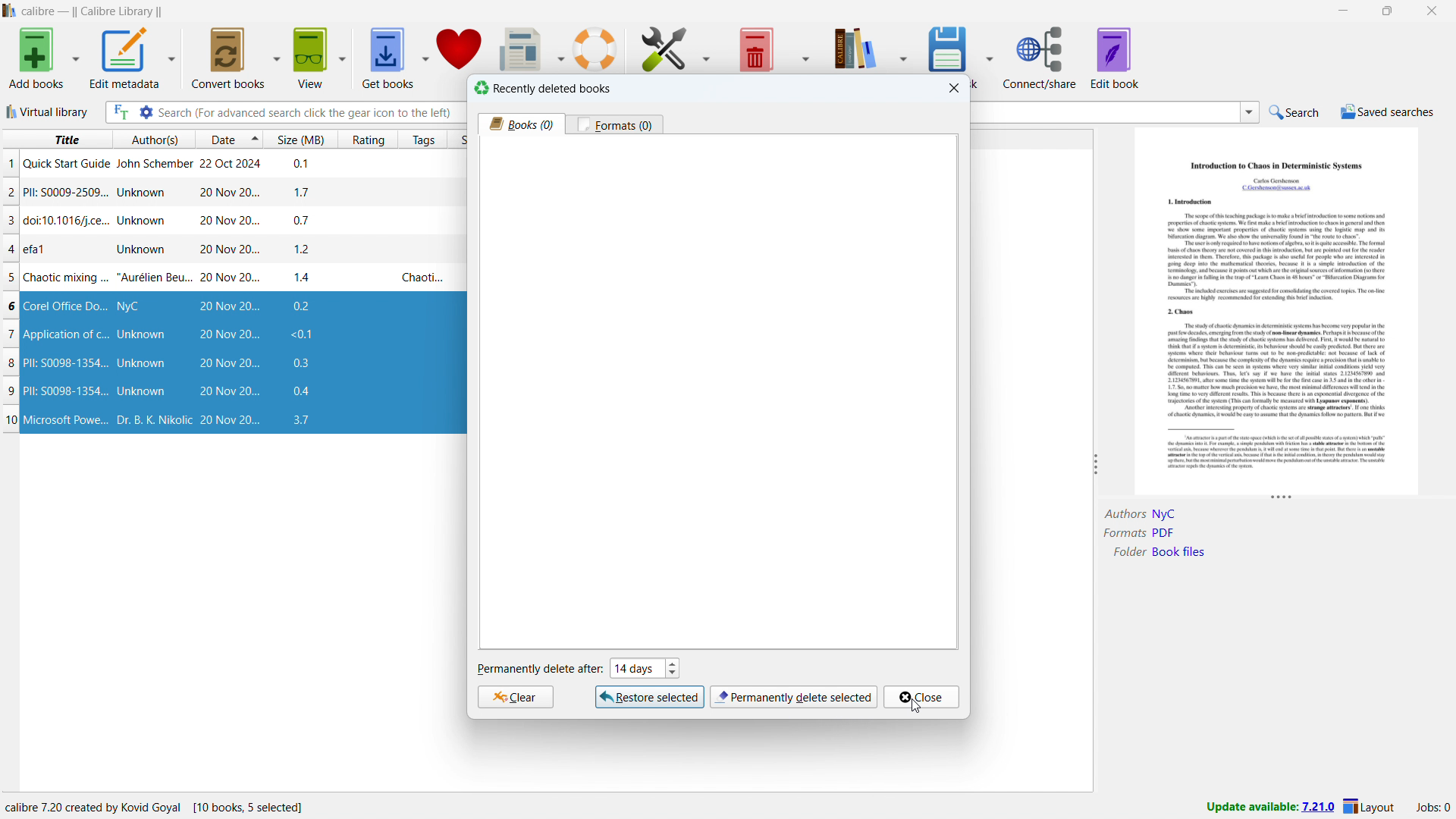 This screenshot has width=1456, height=819. What do you see at coordinates (36, 58) in the screenshot?
I see `add books ` at bounding box center [36, 58].